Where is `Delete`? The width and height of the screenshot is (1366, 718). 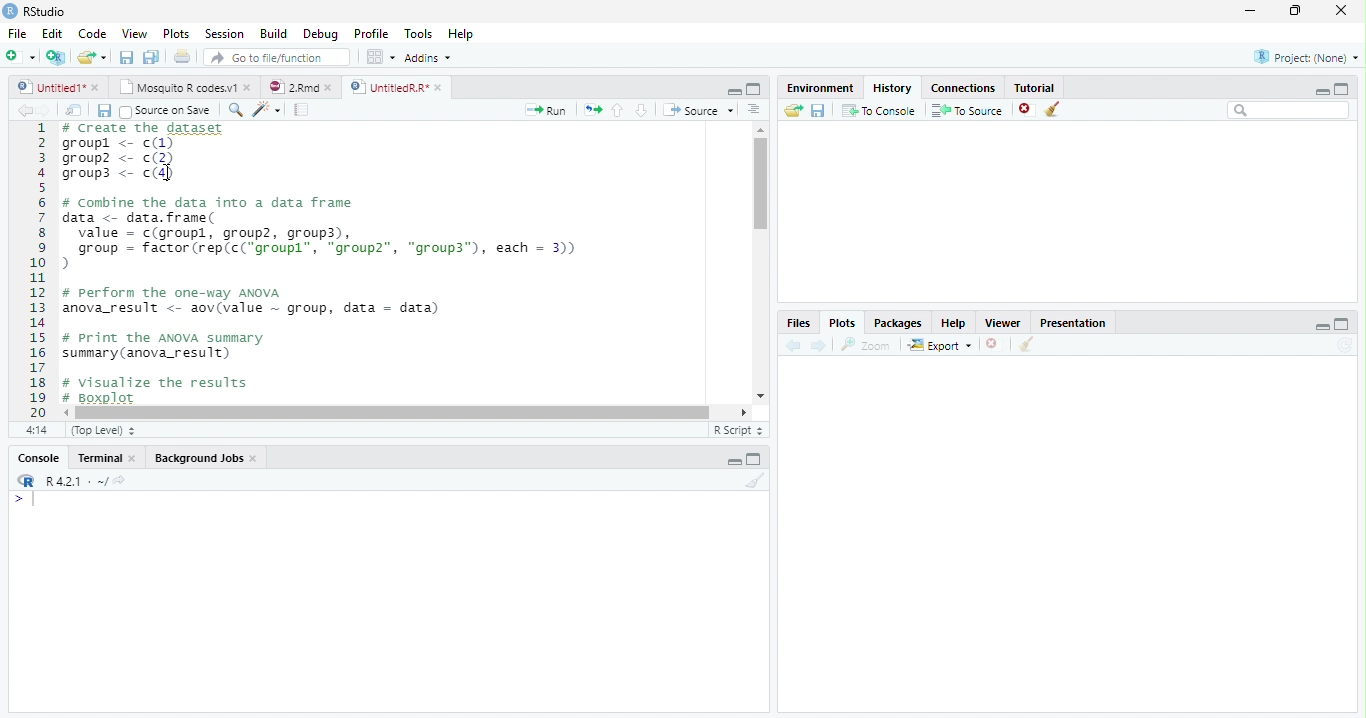 Delete is located at coordinates (993, 345).